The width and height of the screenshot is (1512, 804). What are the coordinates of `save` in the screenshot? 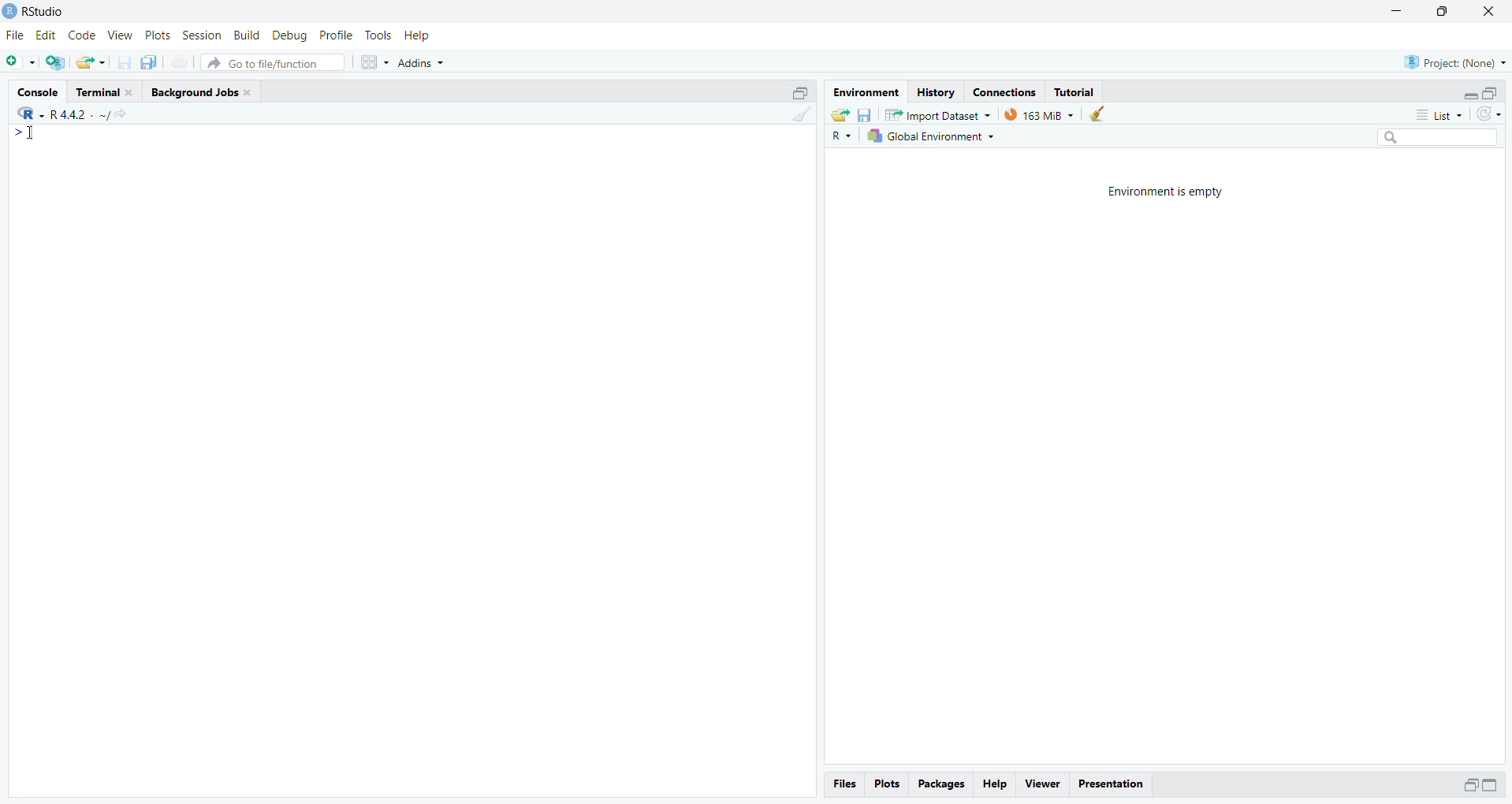 It's located at (124, 62).